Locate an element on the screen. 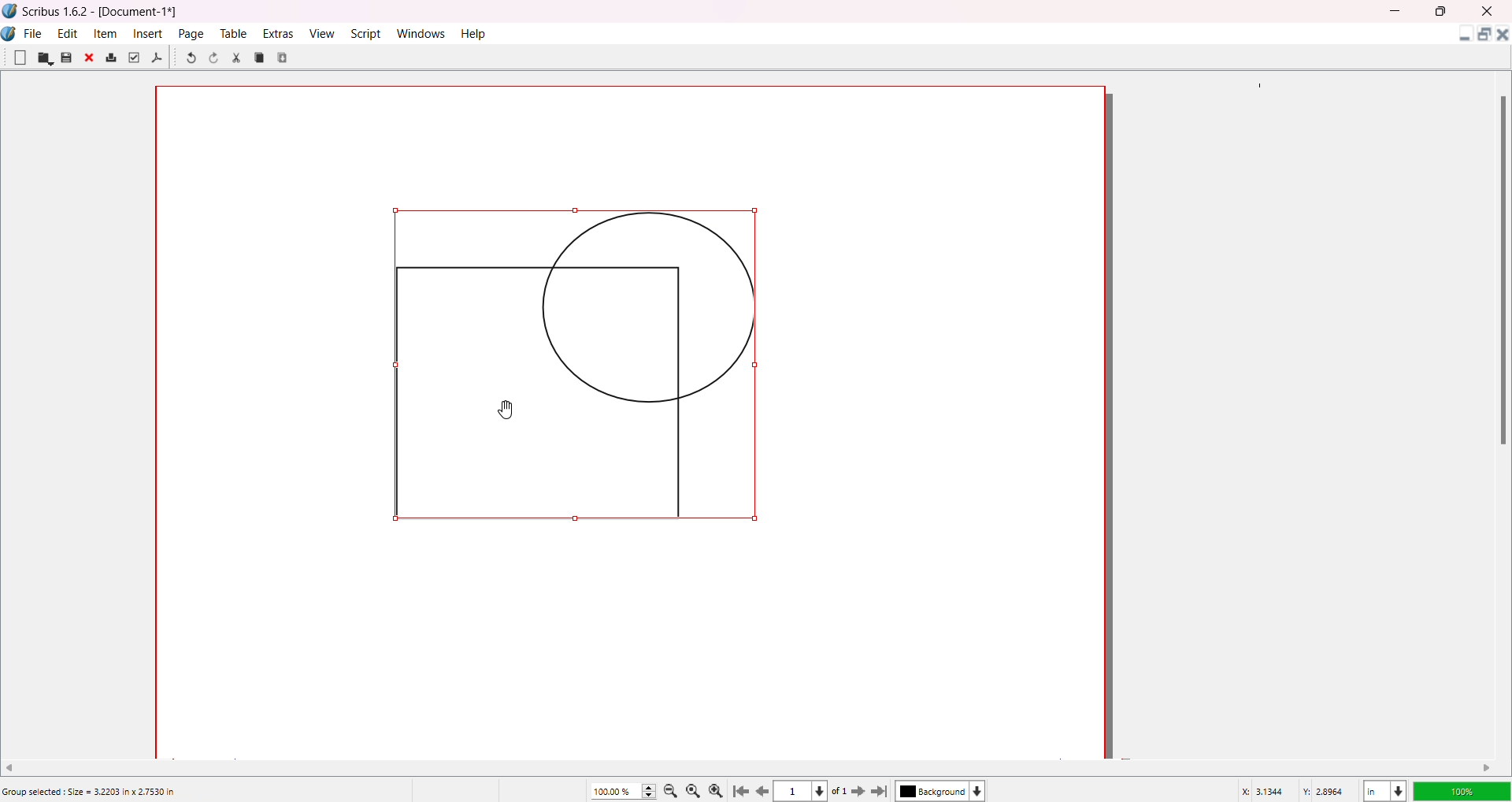  Zoom out is located at coordinates (673, 790).